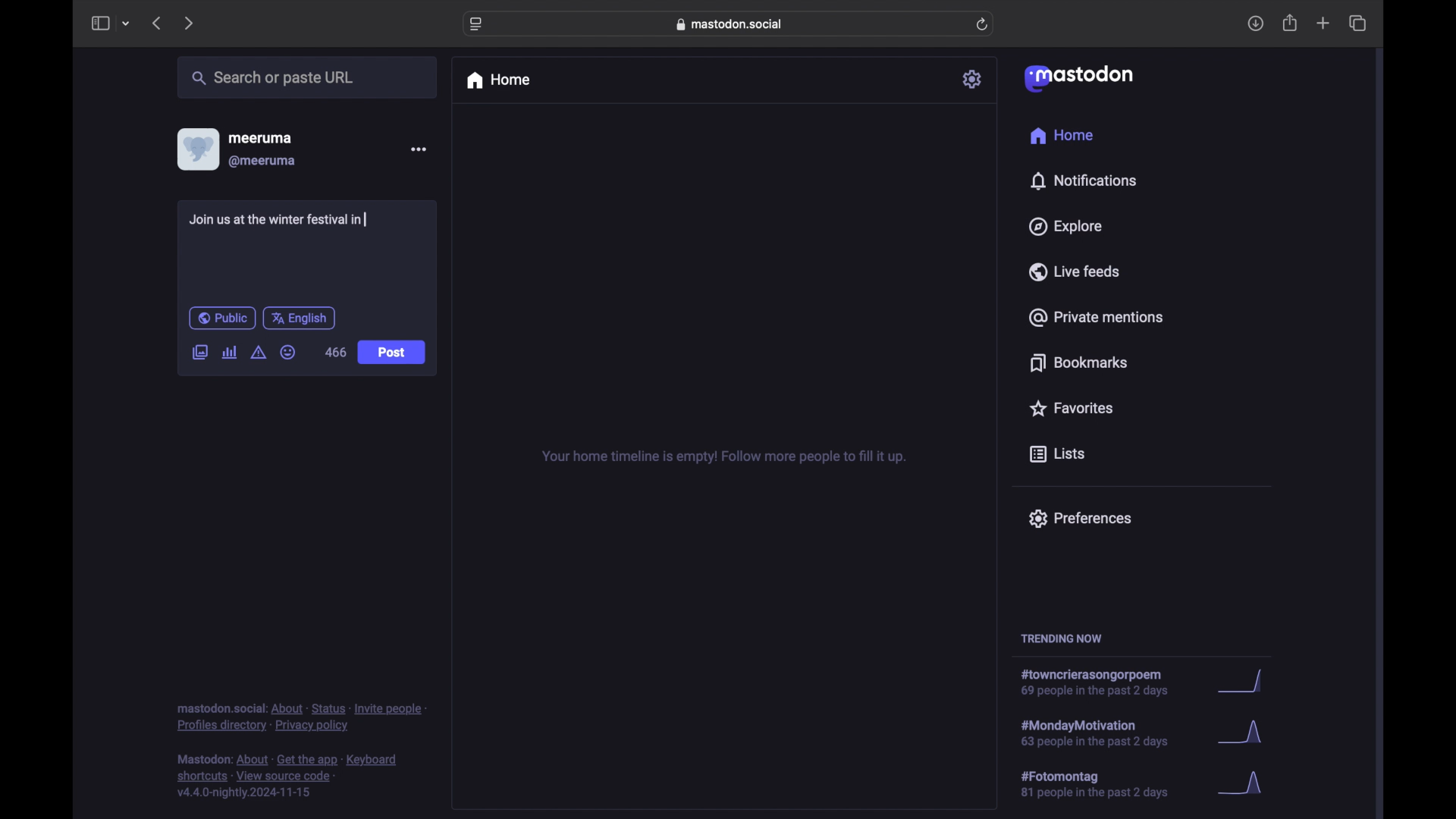  What do you see at coordinates (1244, 682) in the screenshot?
I see `graph` at bounding box center [1244, 682].